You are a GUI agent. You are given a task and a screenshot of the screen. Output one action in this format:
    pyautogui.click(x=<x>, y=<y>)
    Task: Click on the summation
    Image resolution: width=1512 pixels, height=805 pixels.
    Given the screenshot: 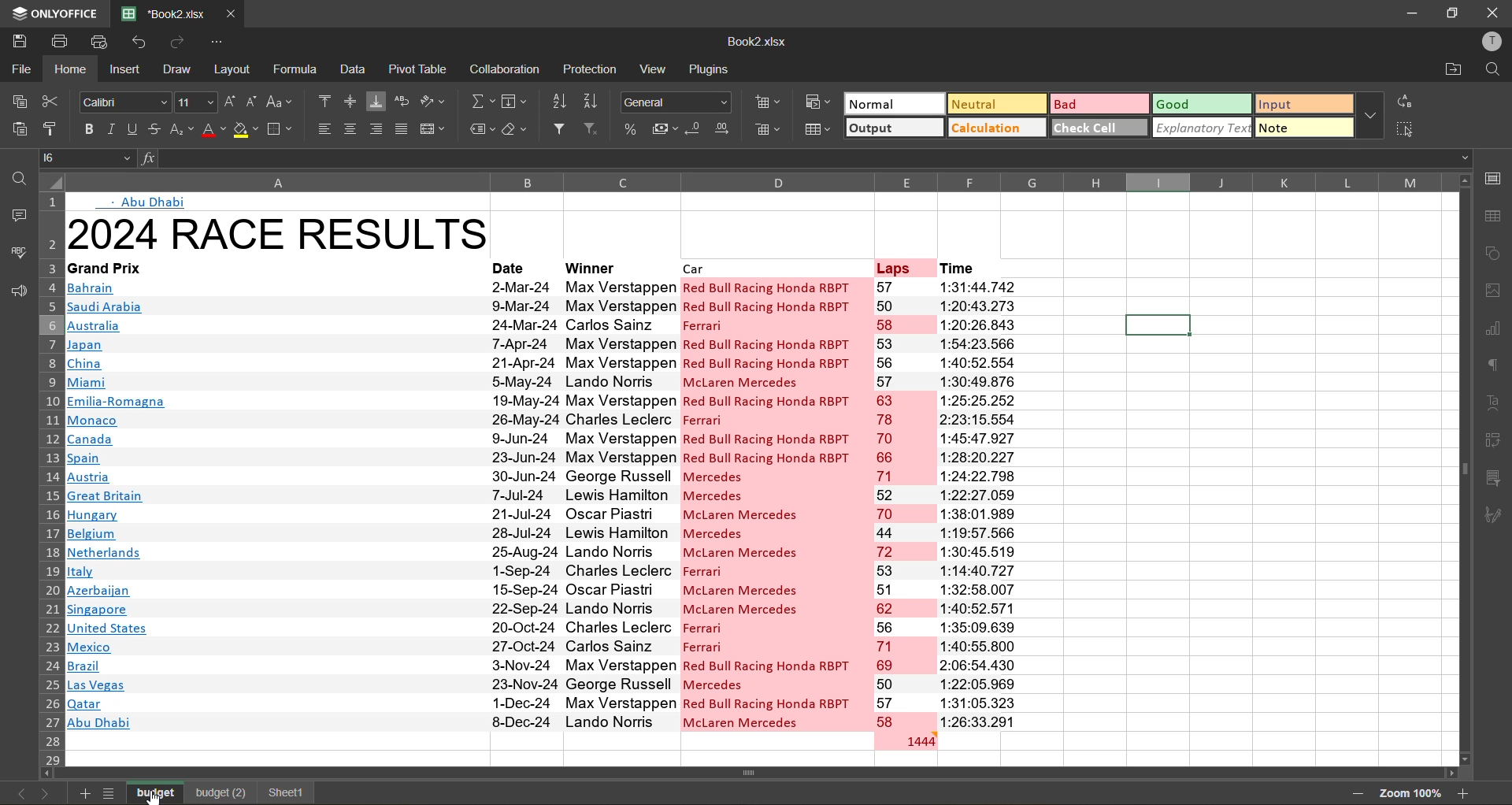 What is the action you would take?
    pyautogui.click(x=481, y=104)
    